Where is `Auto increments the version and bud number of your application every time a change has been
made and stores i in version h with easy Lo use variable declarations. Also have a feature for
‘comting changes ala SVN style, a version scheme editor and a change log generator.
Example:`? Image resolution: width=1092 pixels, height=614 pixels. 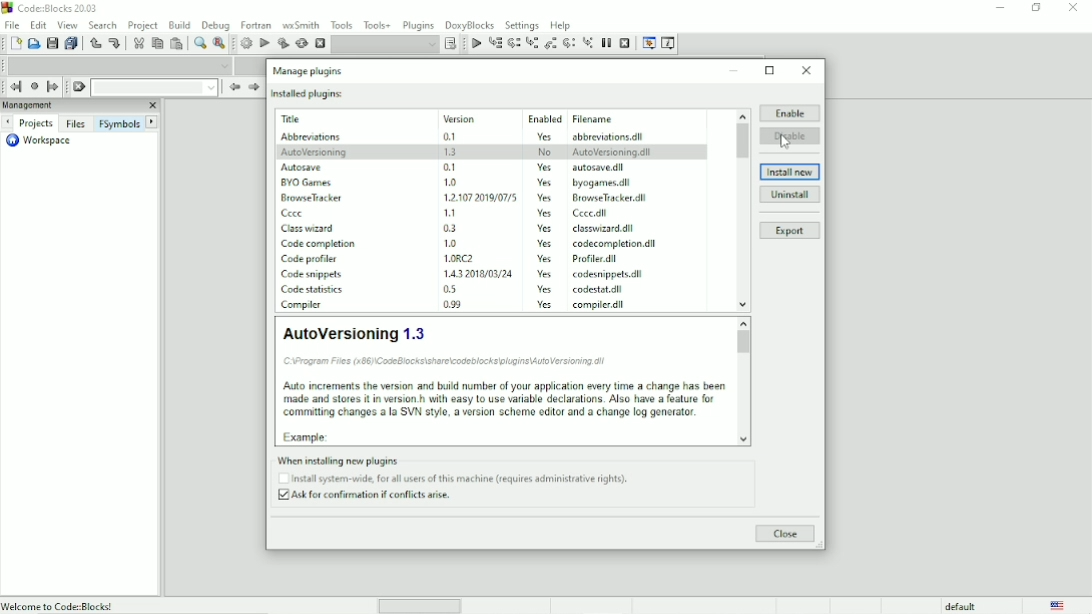 Auto increments the version and bud number of your application every time a change has been
made and stores i in version h with easy Lo use variable declarations. Also have a feature for
‘comting changes ala SVN style, a version scheme editor and a change log generator.
Example: is located at coordinates (504, 411).